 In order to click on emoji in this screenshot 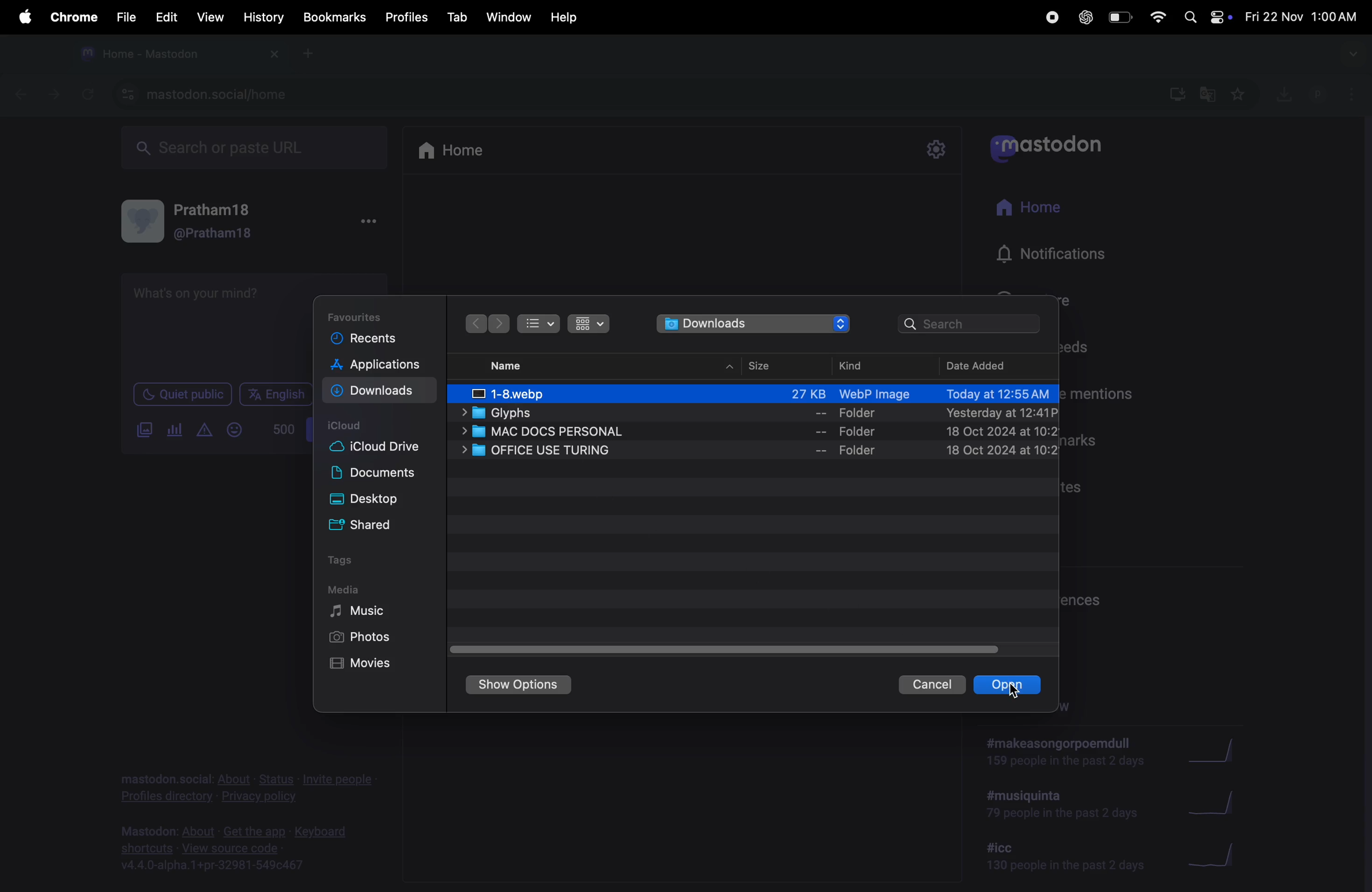, I will do `click(233, 429)`.